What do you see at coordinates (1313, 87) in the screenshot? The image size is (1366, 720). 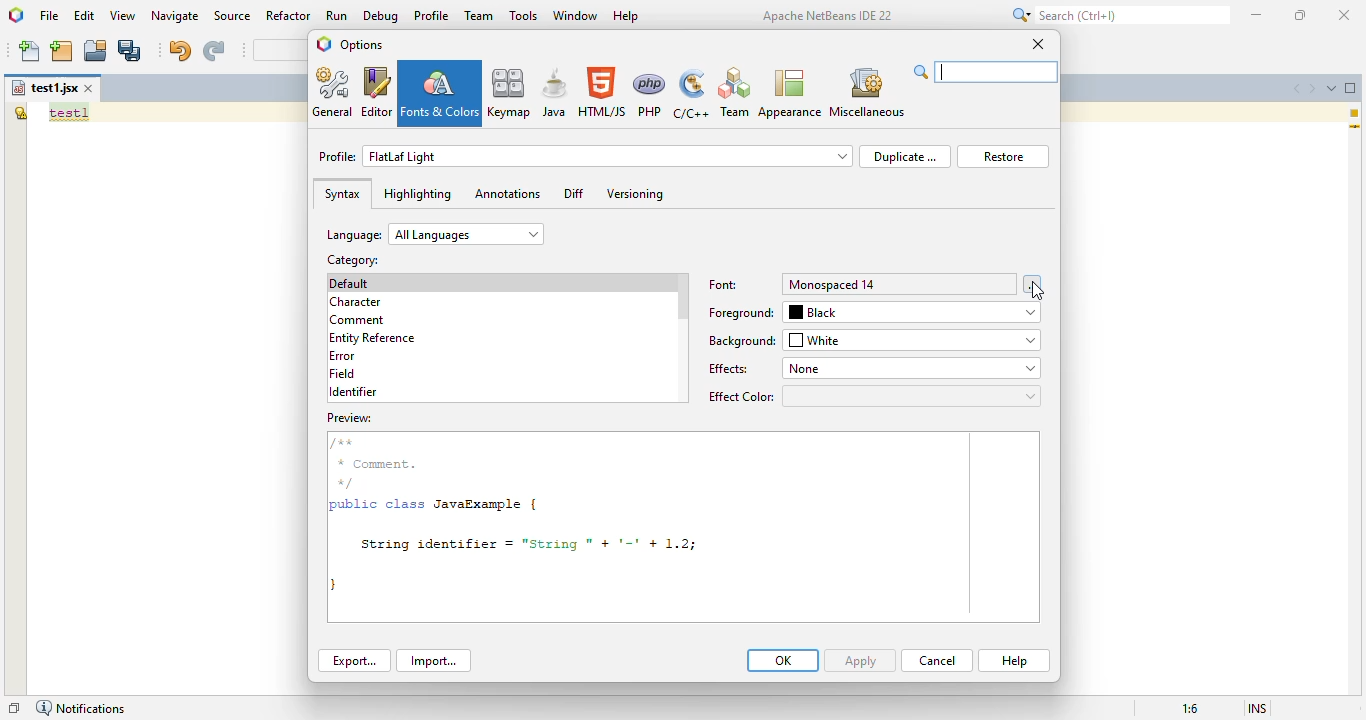 I see `scroll documents right` at bounding box center [1313, 87].